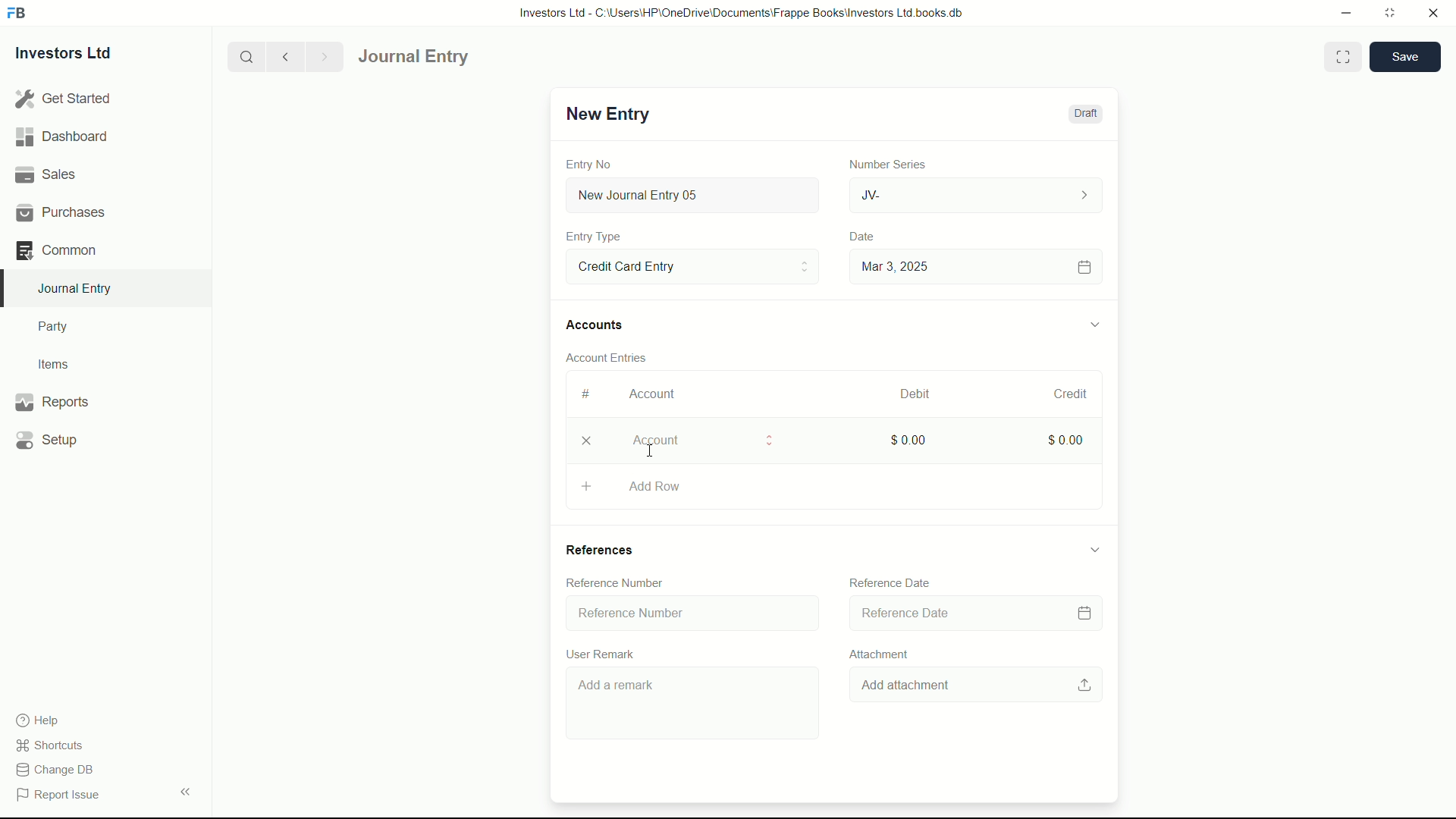  I want to click on minimize, so click(1342, 11).